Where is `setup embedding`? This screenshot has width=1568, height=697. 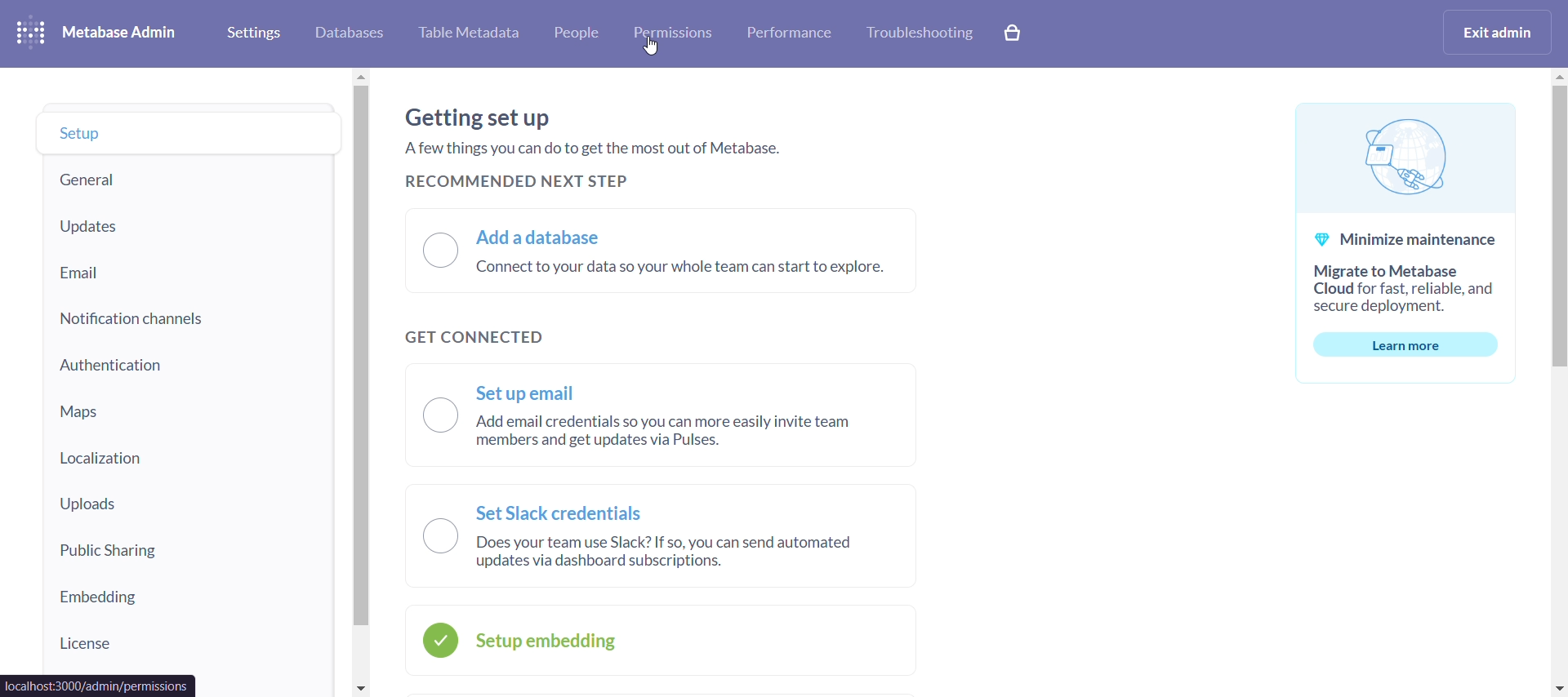
setup embedding is located at coordinates (661, 636).